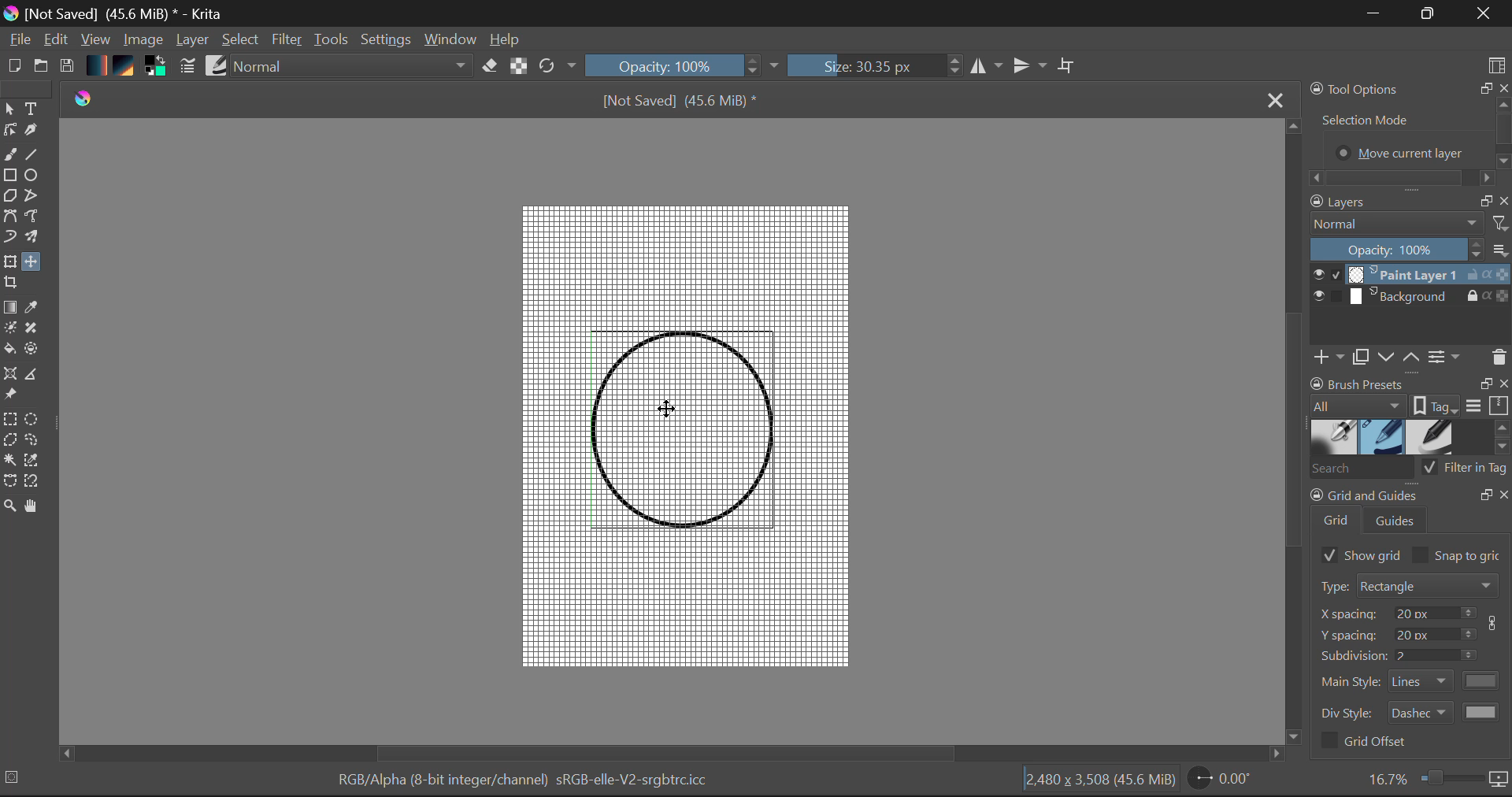 The width and height of the screenshot is (1512, 797). What do you see at coordinates (9, 262) in the screenshot?
I see `Transform Layer` at bounding box center [9, 262].